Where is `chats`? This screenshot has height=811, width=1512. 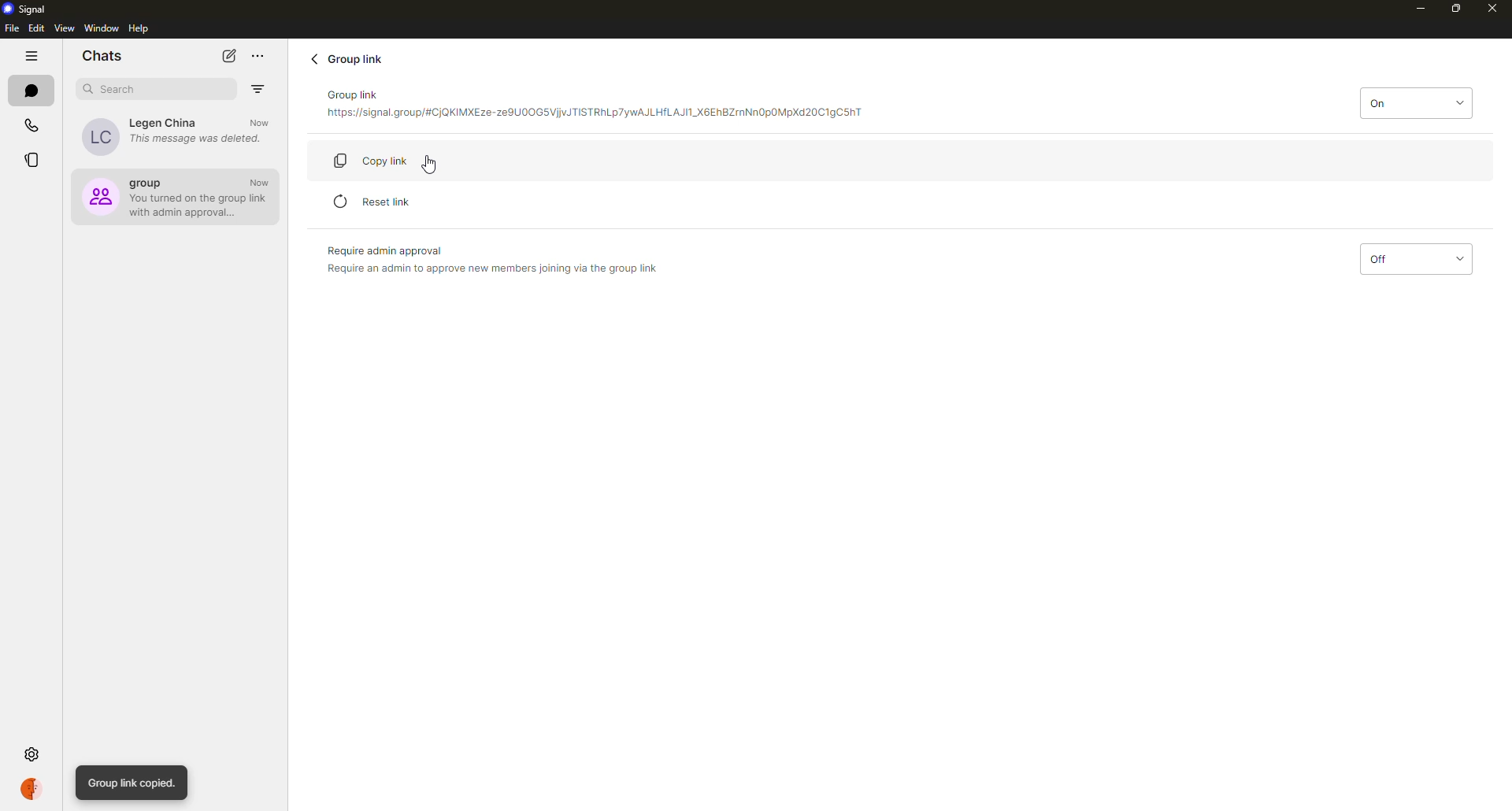 chats is located at coordinates (102, 54).